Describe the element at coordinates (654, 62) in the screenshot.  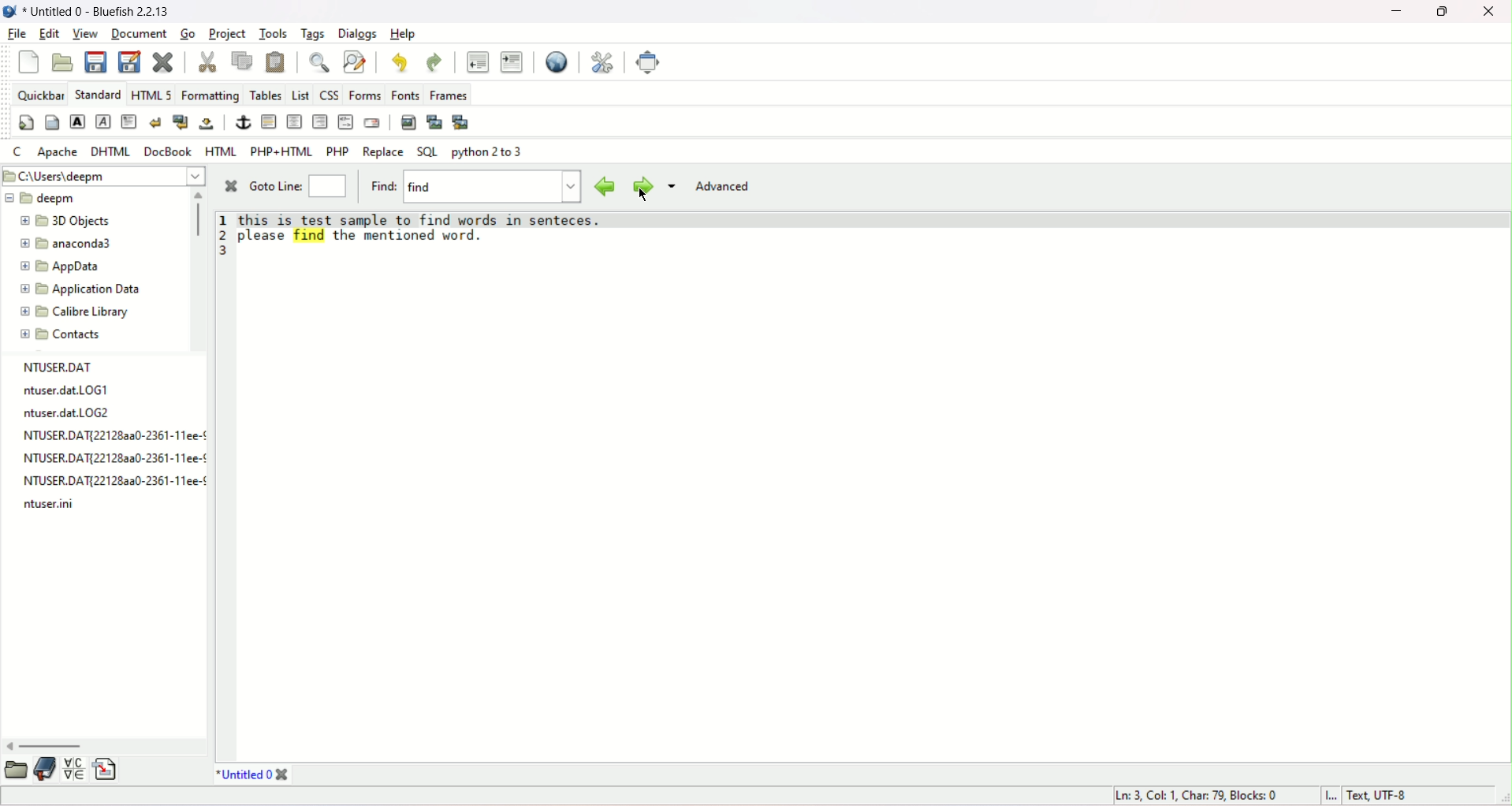
I see `fullscreen` at that location.